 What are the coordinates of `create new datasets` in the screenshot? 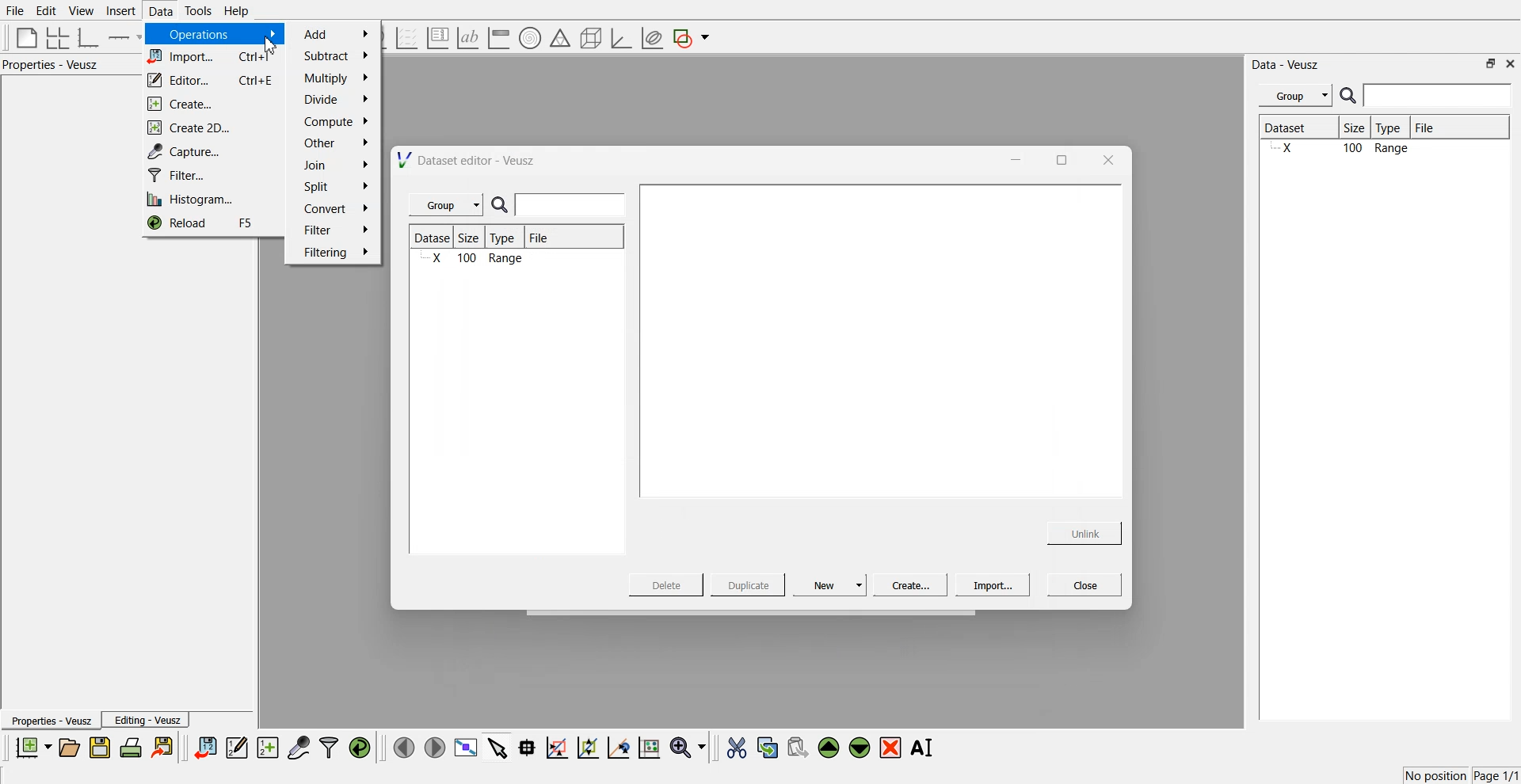 It's located at (268, 748).